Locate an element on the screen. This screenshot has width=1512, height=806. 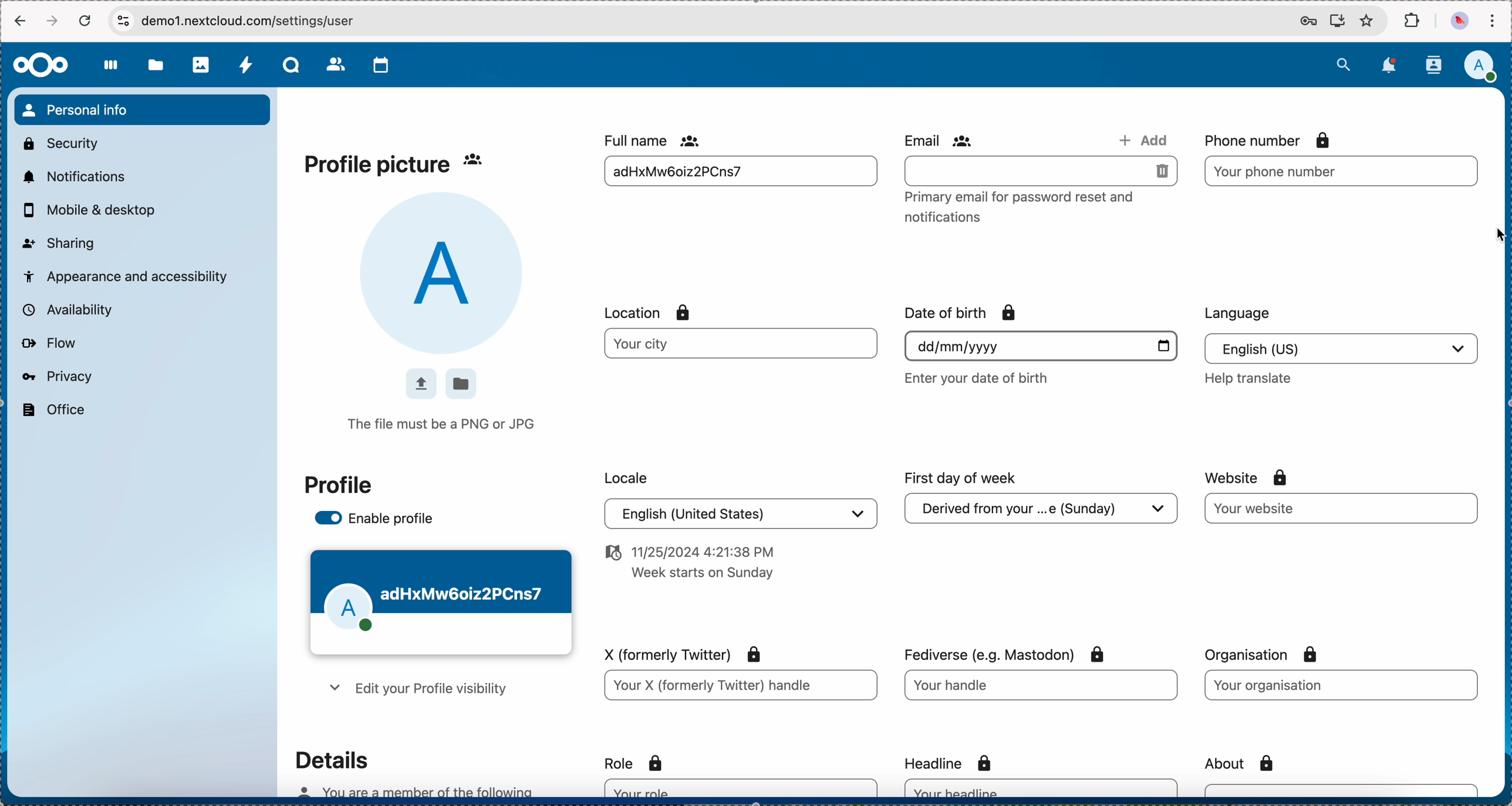
role is located at coordinates (637, 764).